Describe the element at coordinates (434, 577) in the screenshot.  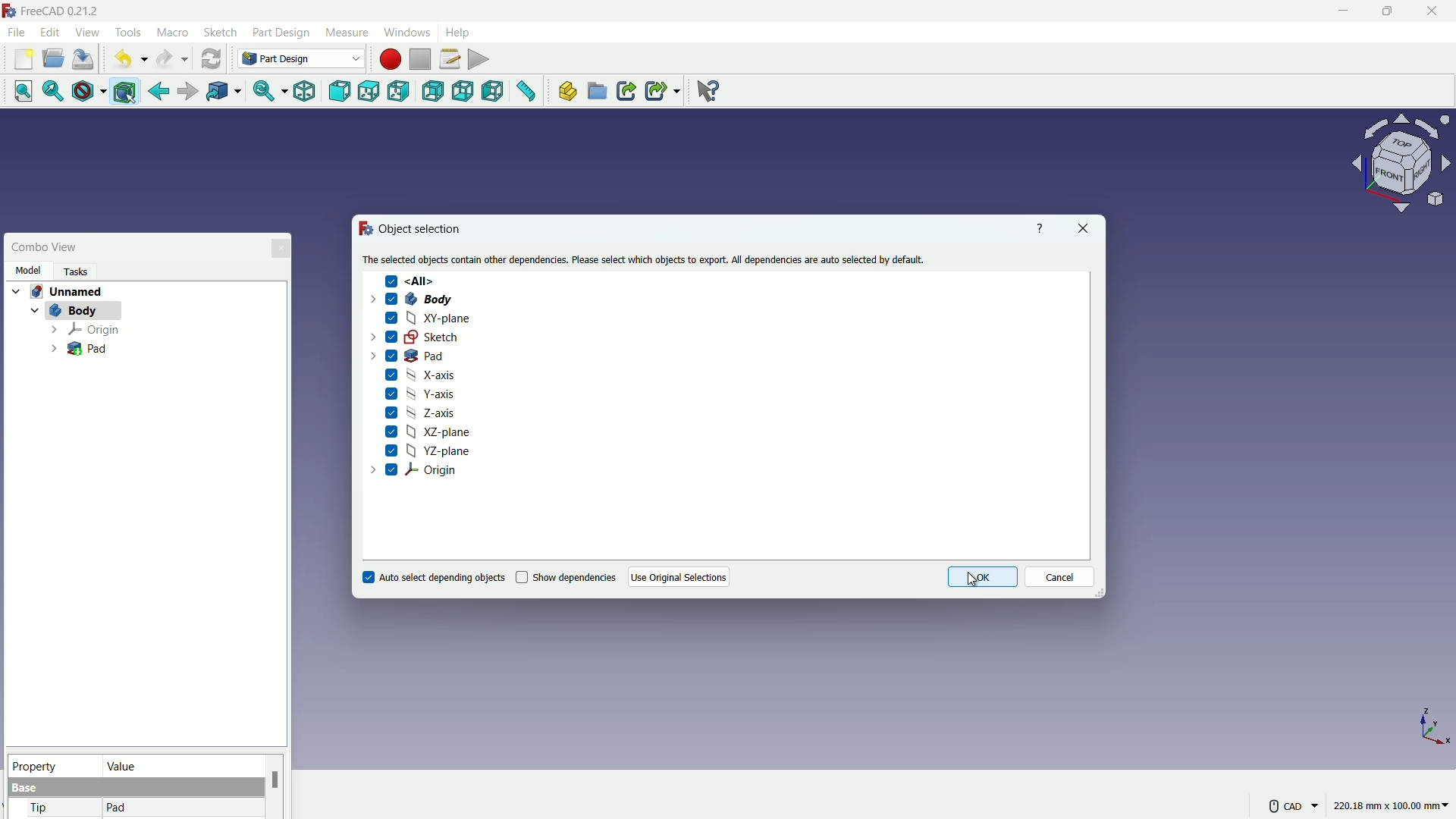
I see `Auto select depending objects` at that location.